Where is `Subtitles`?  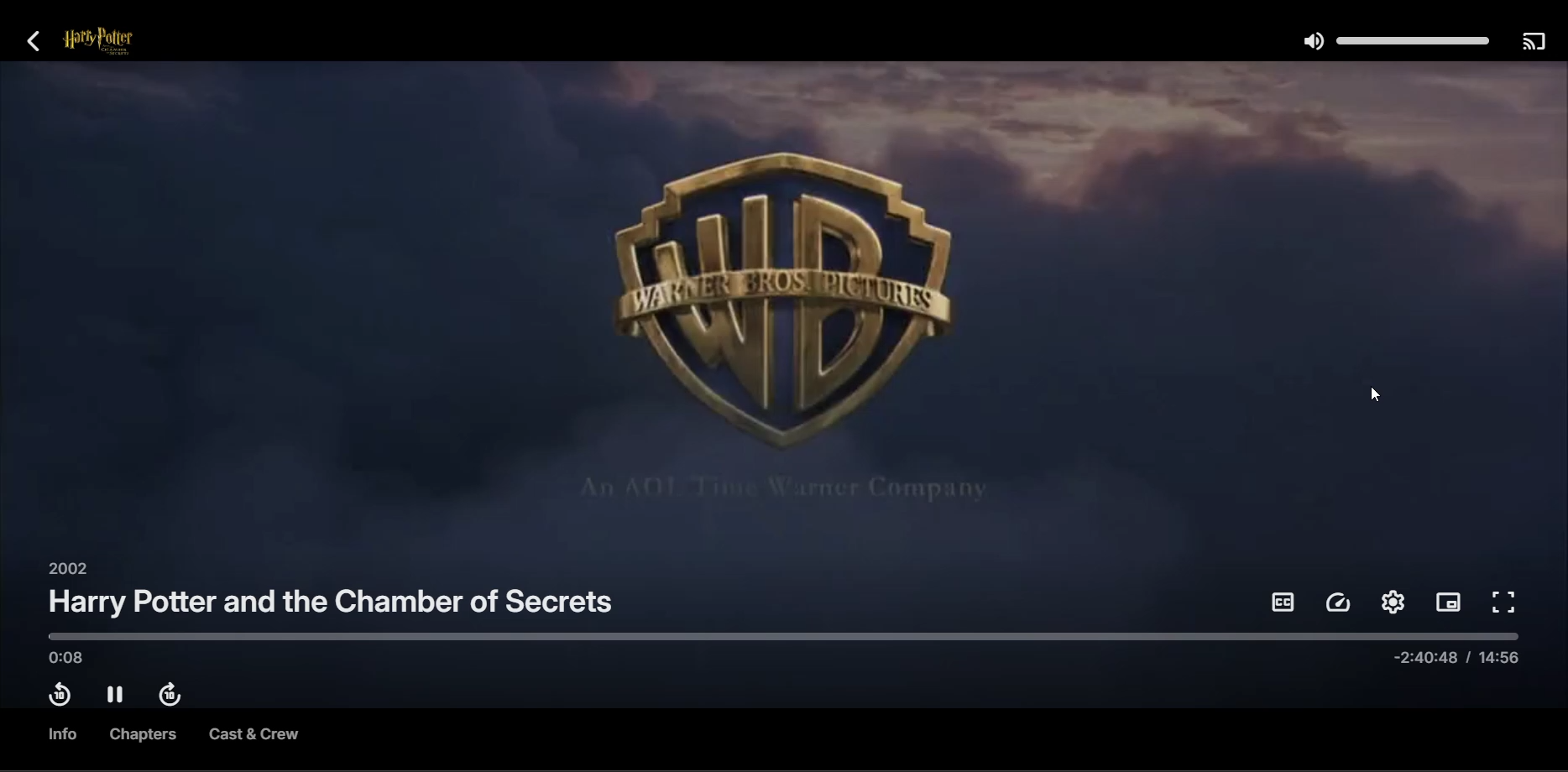
Subtitles is located at coordinates (1283, 602).